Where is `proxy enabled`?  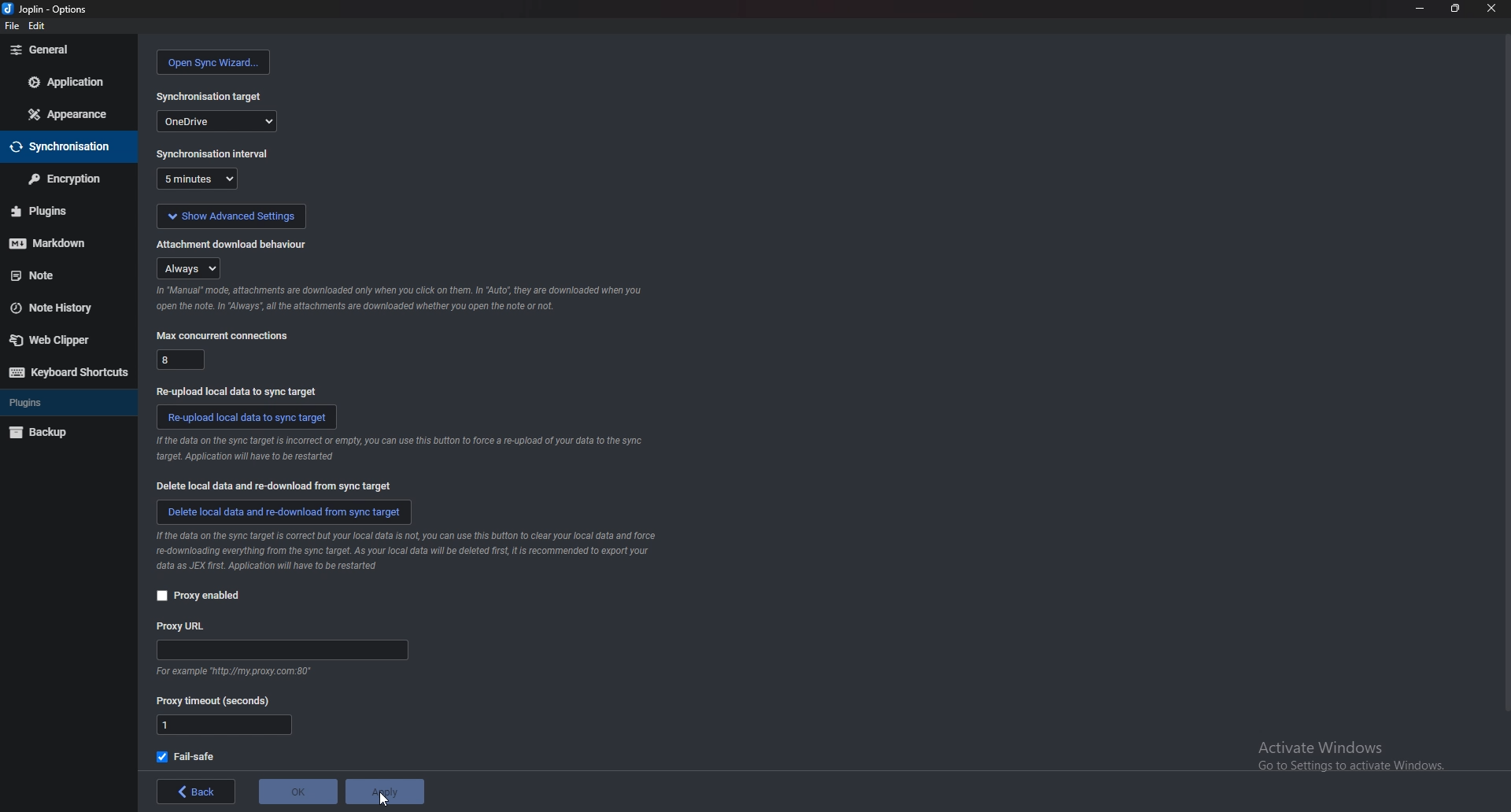 proxy enabled is located at coordinates (199, 596).